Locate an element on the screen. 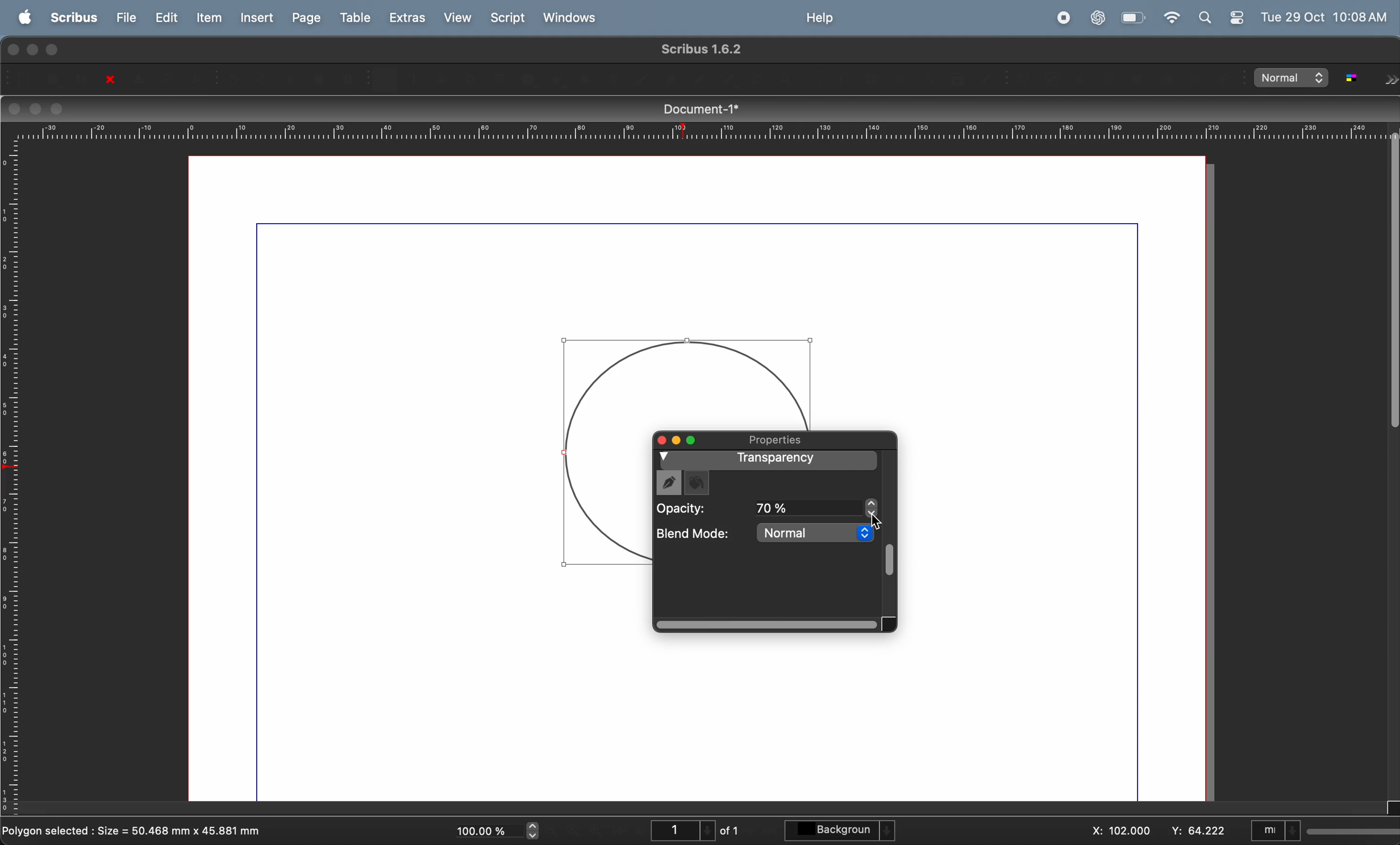 This screenshot has height=845, width=1400. current zoom level is located at coordinates (502, 830).